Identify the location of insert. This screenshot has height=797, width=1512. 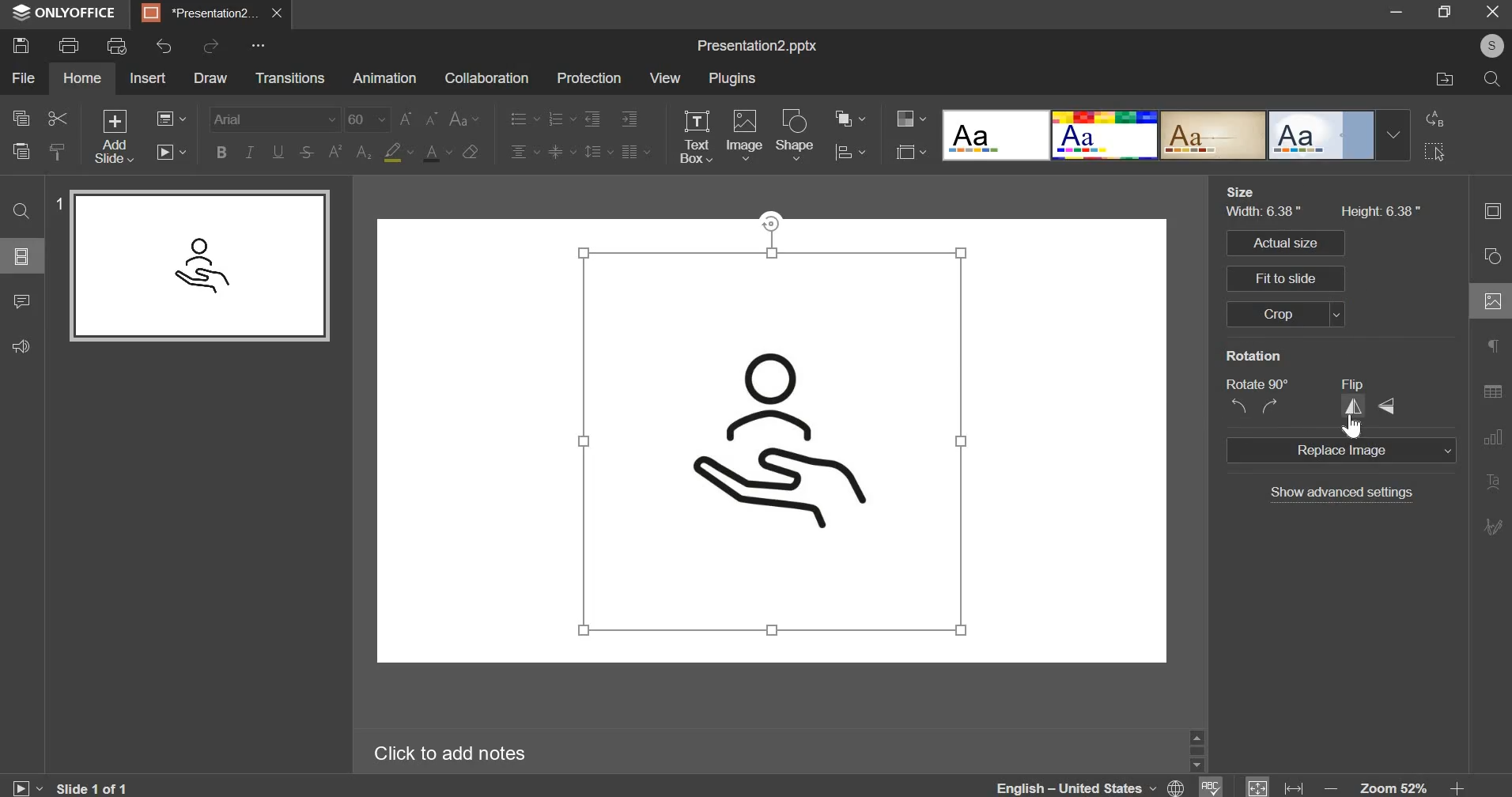
(149, 77).